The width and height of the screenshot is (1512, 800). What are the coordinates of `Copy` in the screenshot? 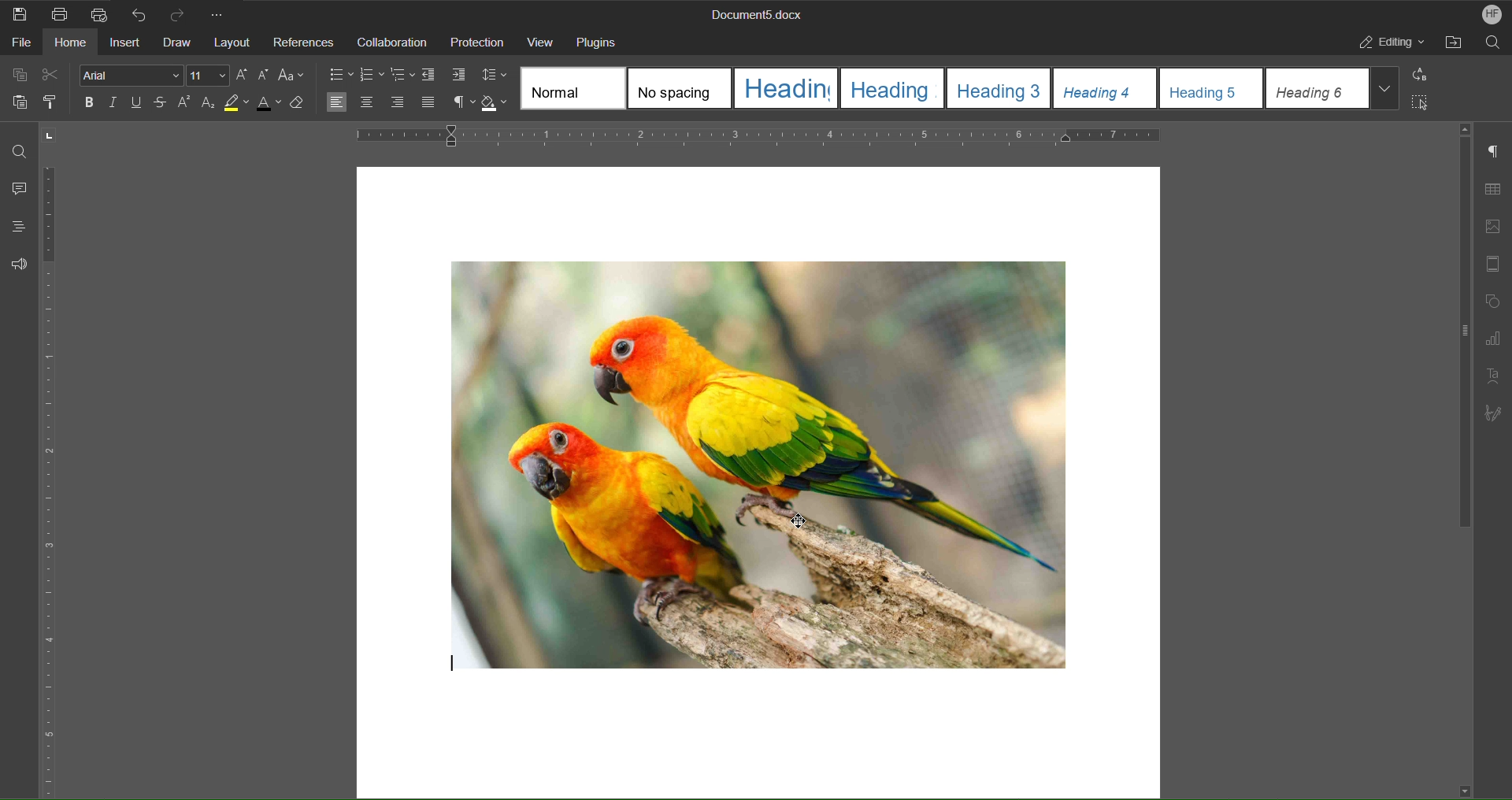 It's located at (18, 75).